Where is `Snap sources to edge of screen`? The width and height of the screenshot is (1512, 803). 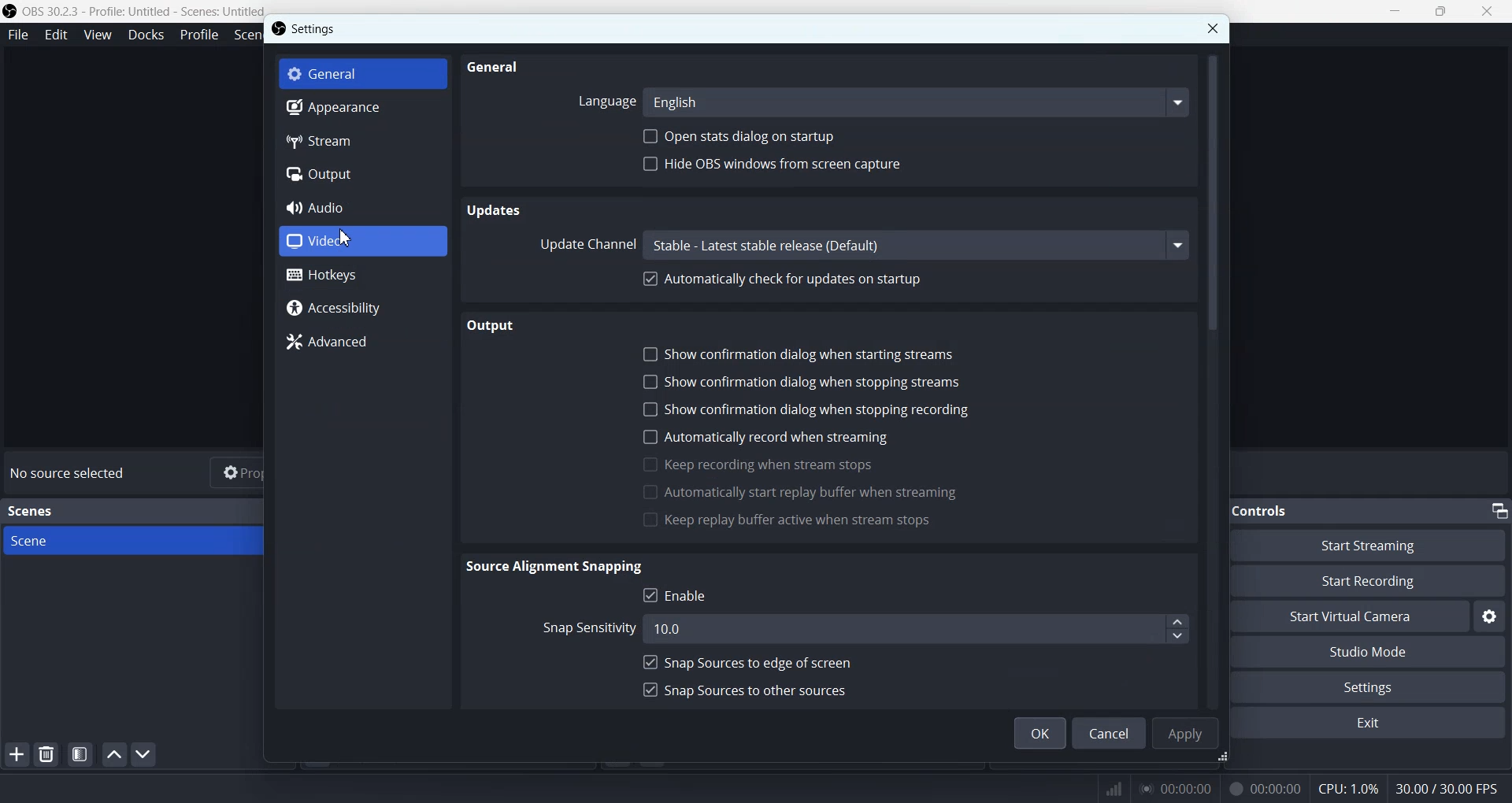
Snap sources to edge of screen is located at coordinates (762, 661).